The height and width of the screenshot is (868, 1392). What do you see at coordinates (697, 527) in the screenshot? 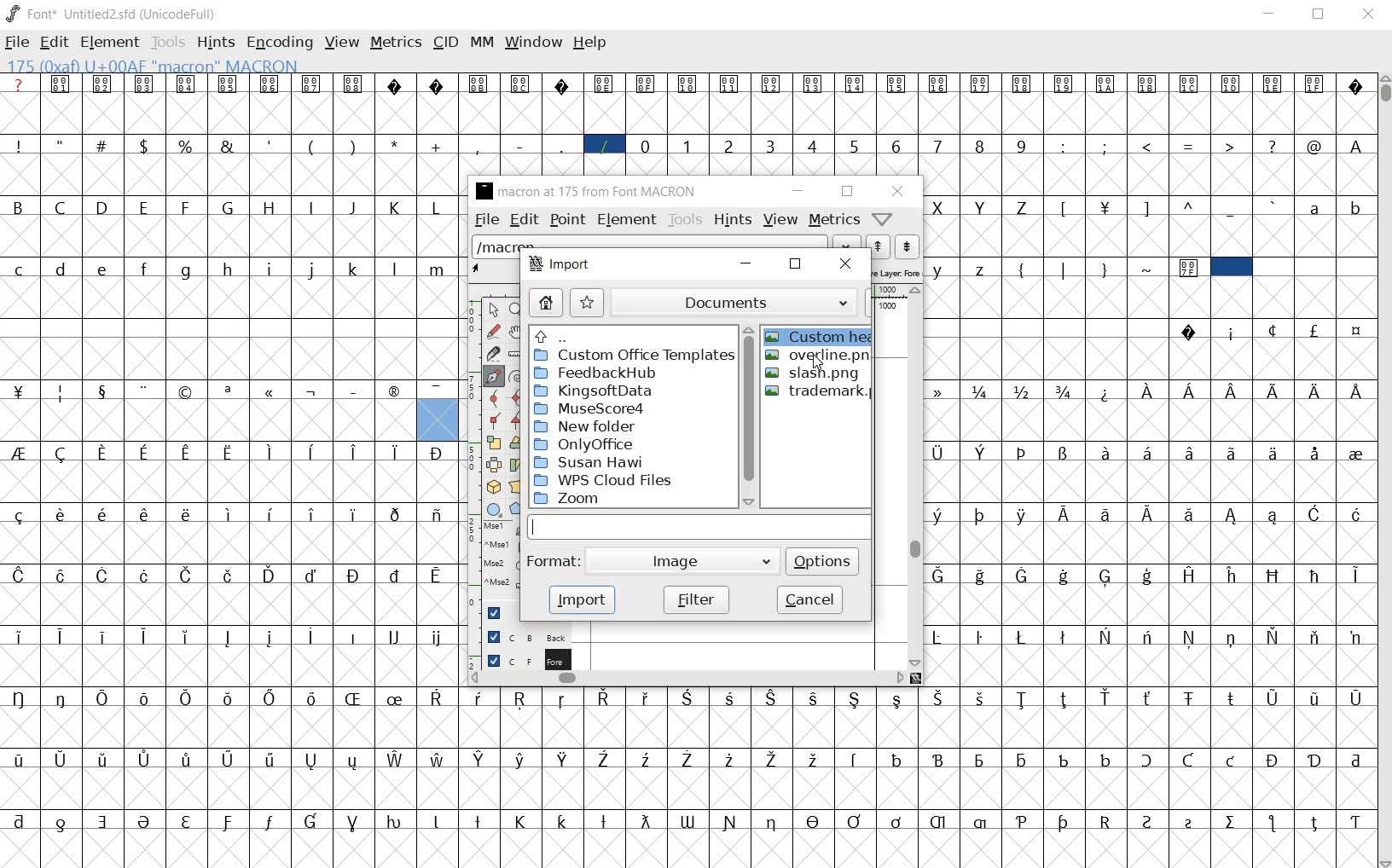
I see `input line` at bounding box center [697, 527].